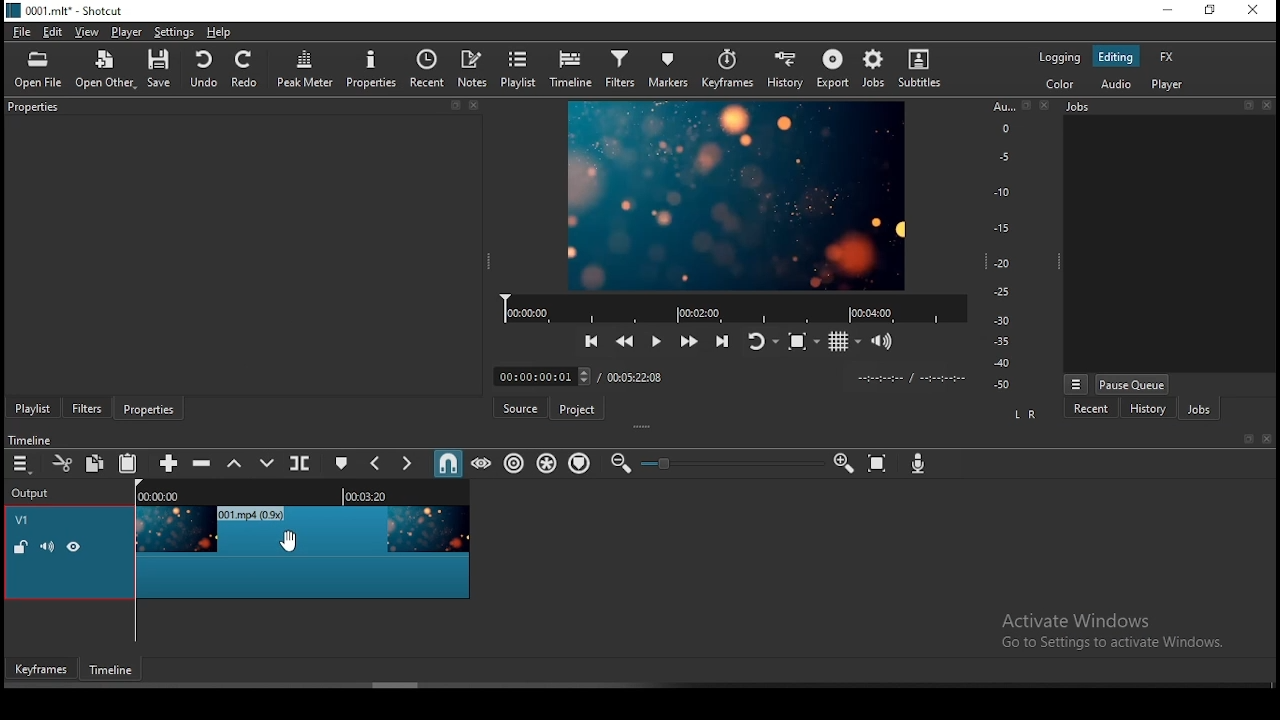 The image size is (1280, 720). What do you see at coordinates (727, 66) in the screenshot?
I see `keyframes` at bounding box center [727, 66].